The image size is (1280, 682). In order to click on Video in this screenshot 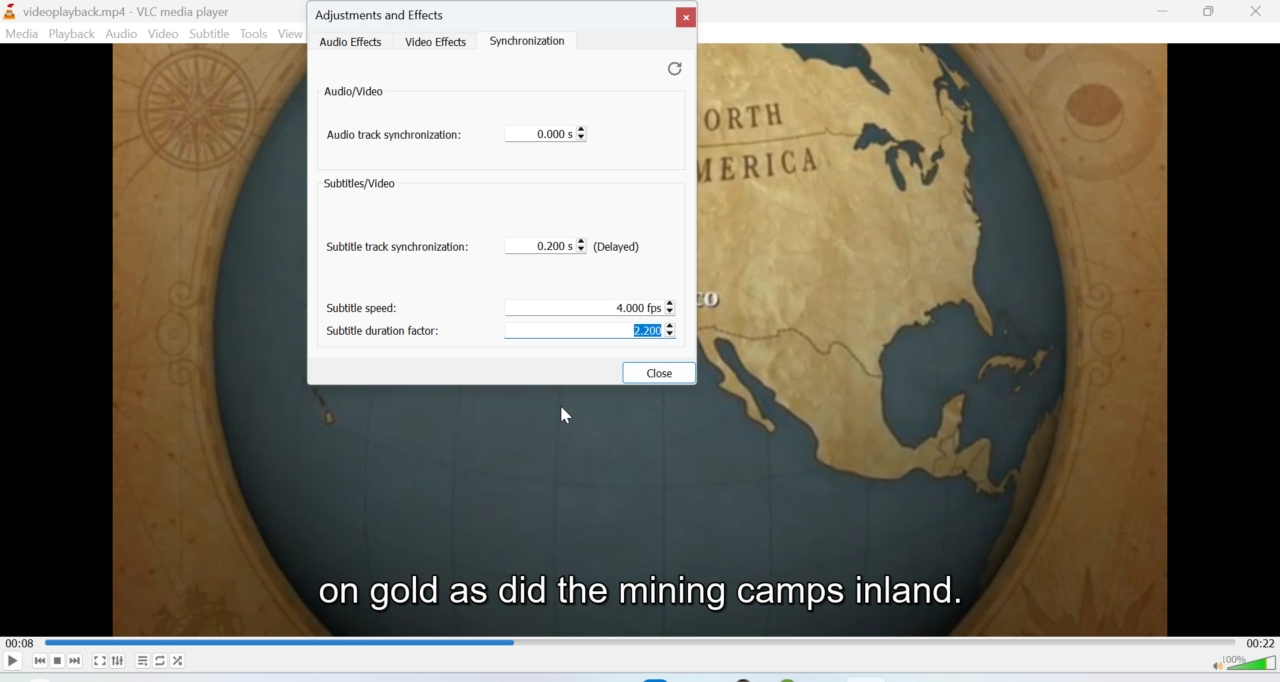, I will do `click(164, 34)`.